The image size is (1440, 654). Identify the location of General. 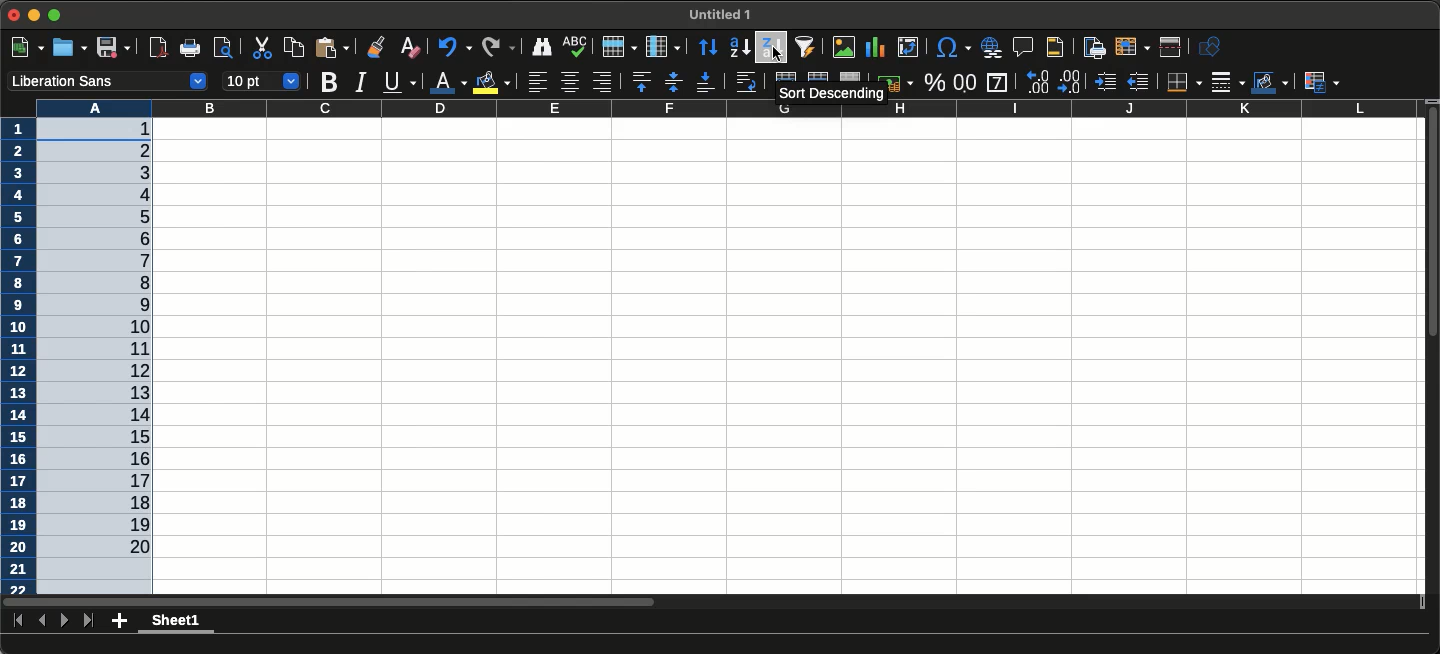
(997, 82).